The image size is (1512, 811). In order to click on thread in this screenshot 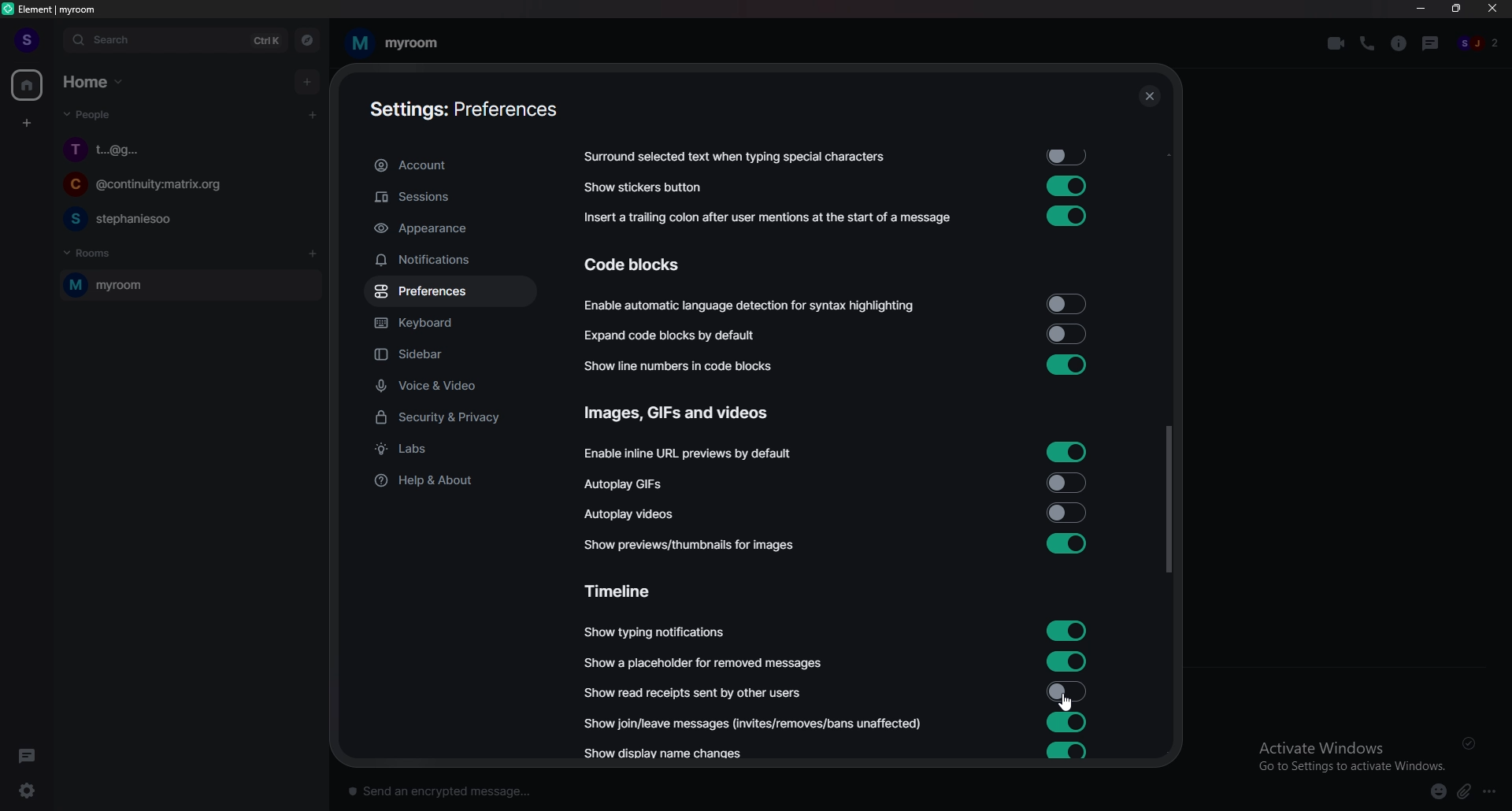, I will do `click(1432, 43)`.